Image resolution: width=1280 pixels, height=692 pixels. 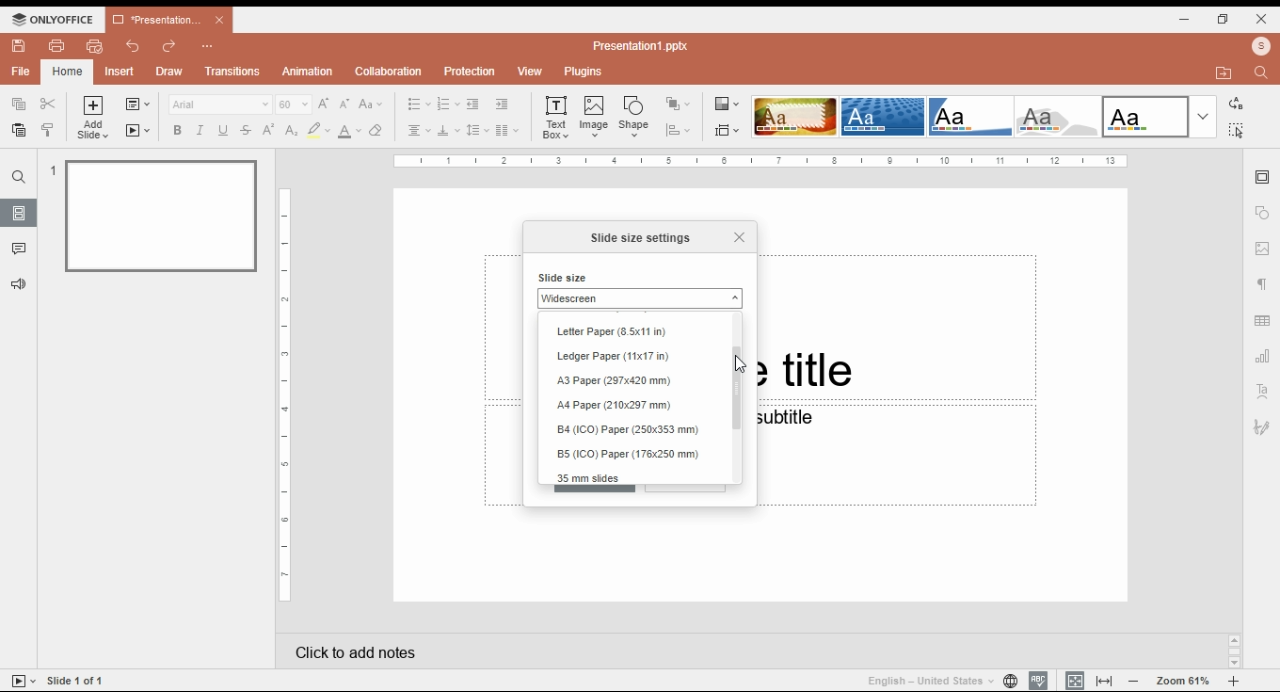 I want to click on change color theme, so click(x=727, y=104).